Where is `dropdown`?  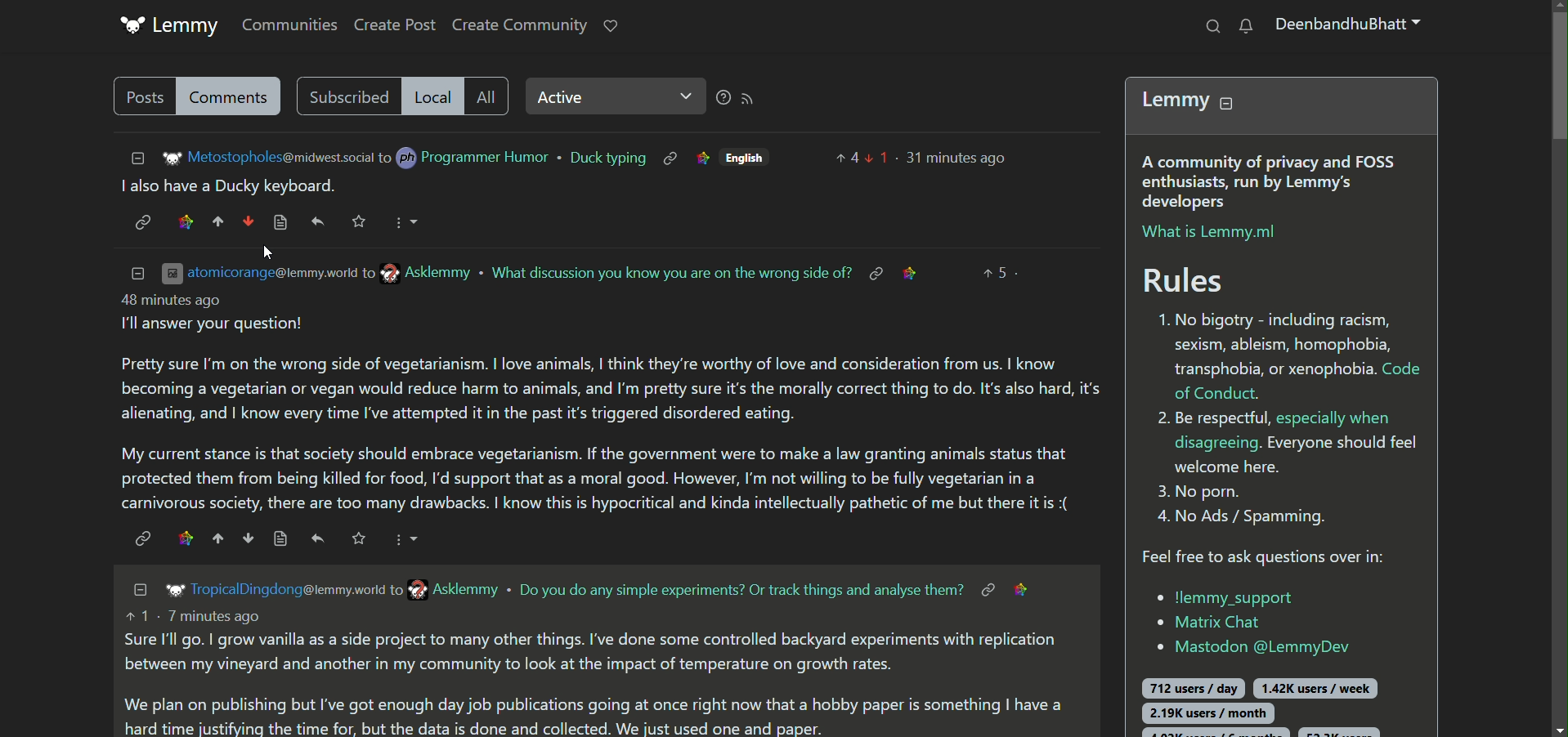 dropdown is located at coordinates (405, 539).